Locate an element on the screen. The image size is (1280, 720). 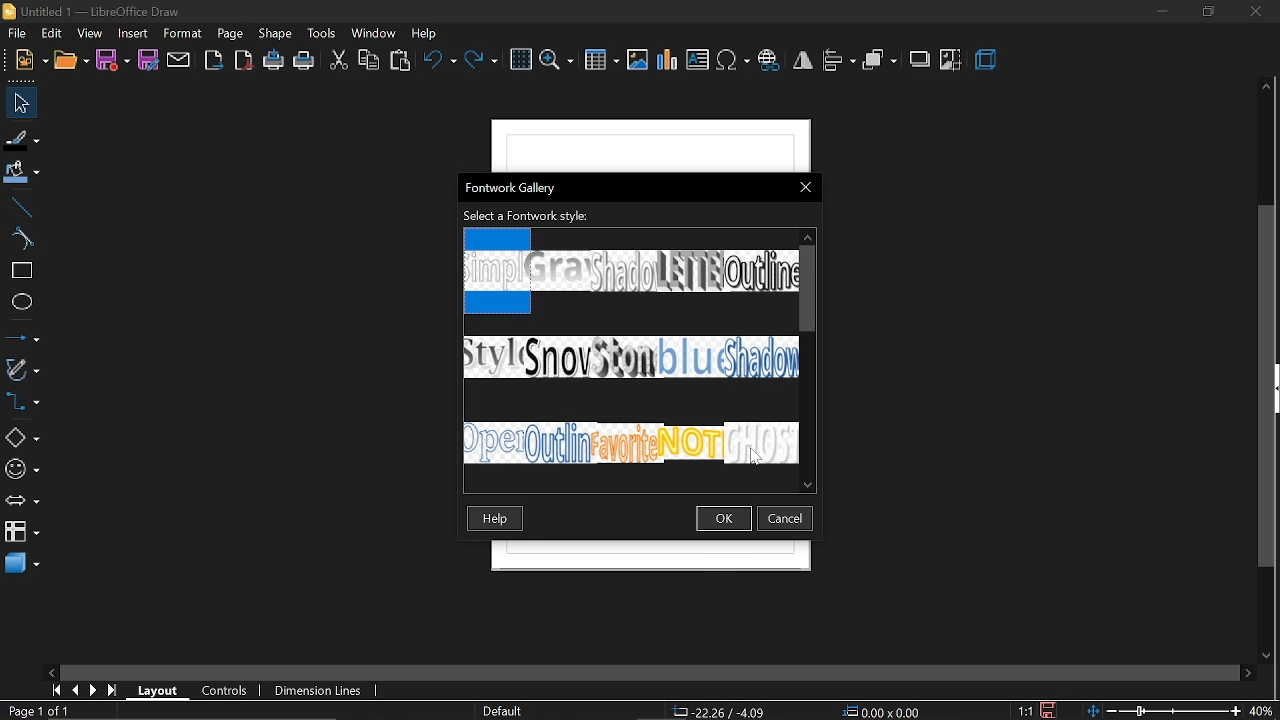
dimension lines is located at coordinates (318, 691).